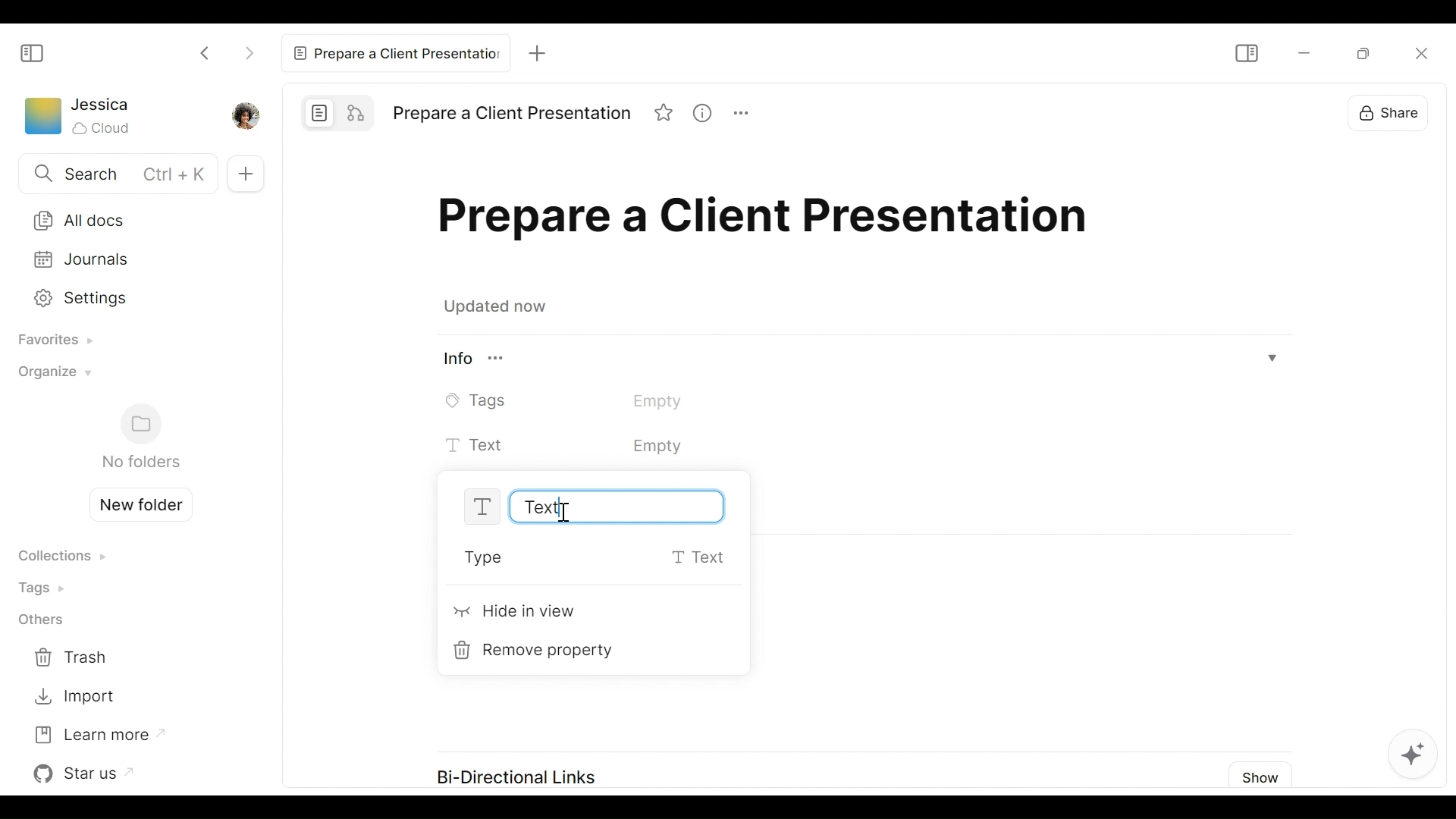  I want to click on Title, so click(770, 221).